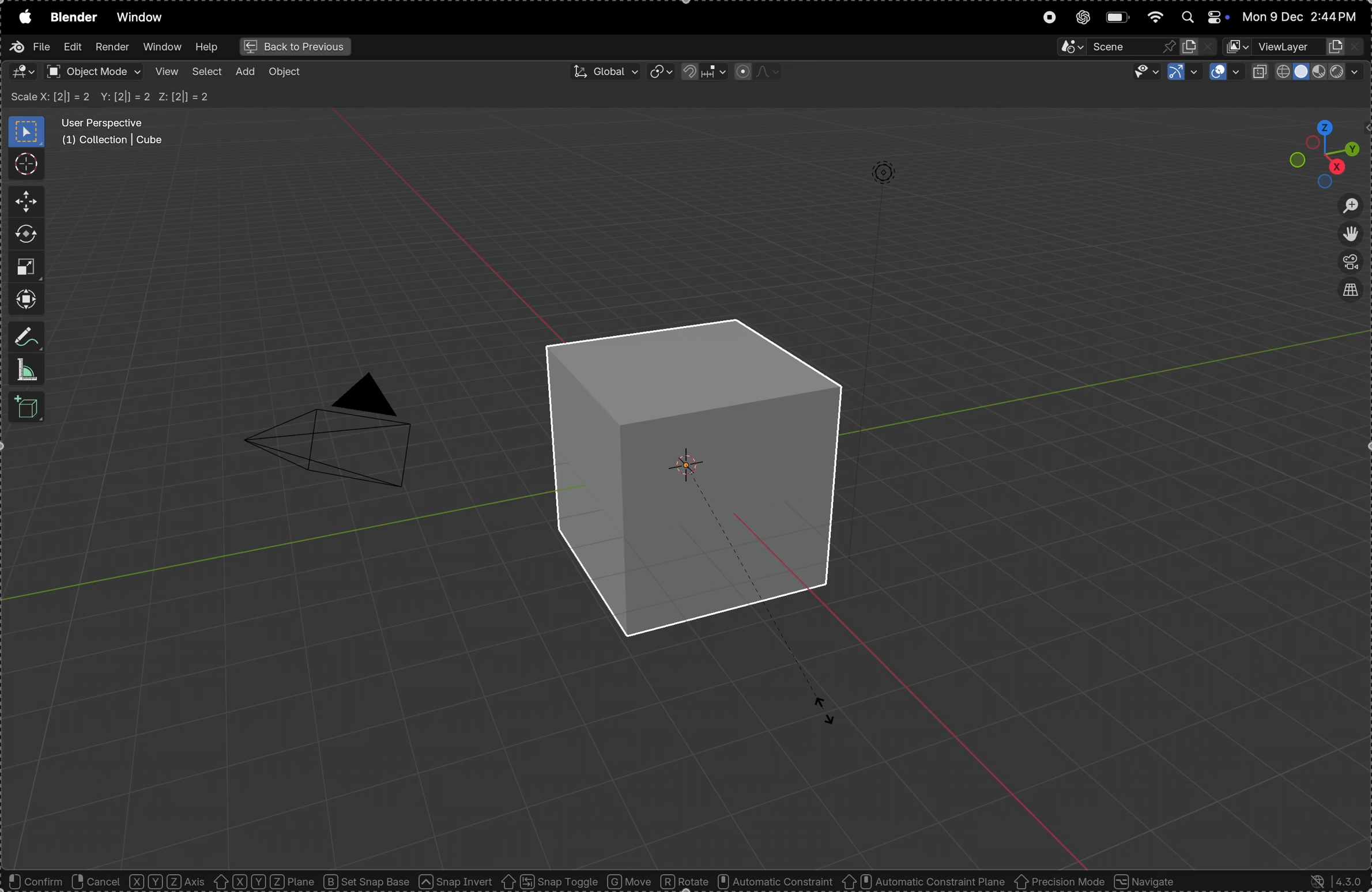  I want to click on measure, so click(24, 369).